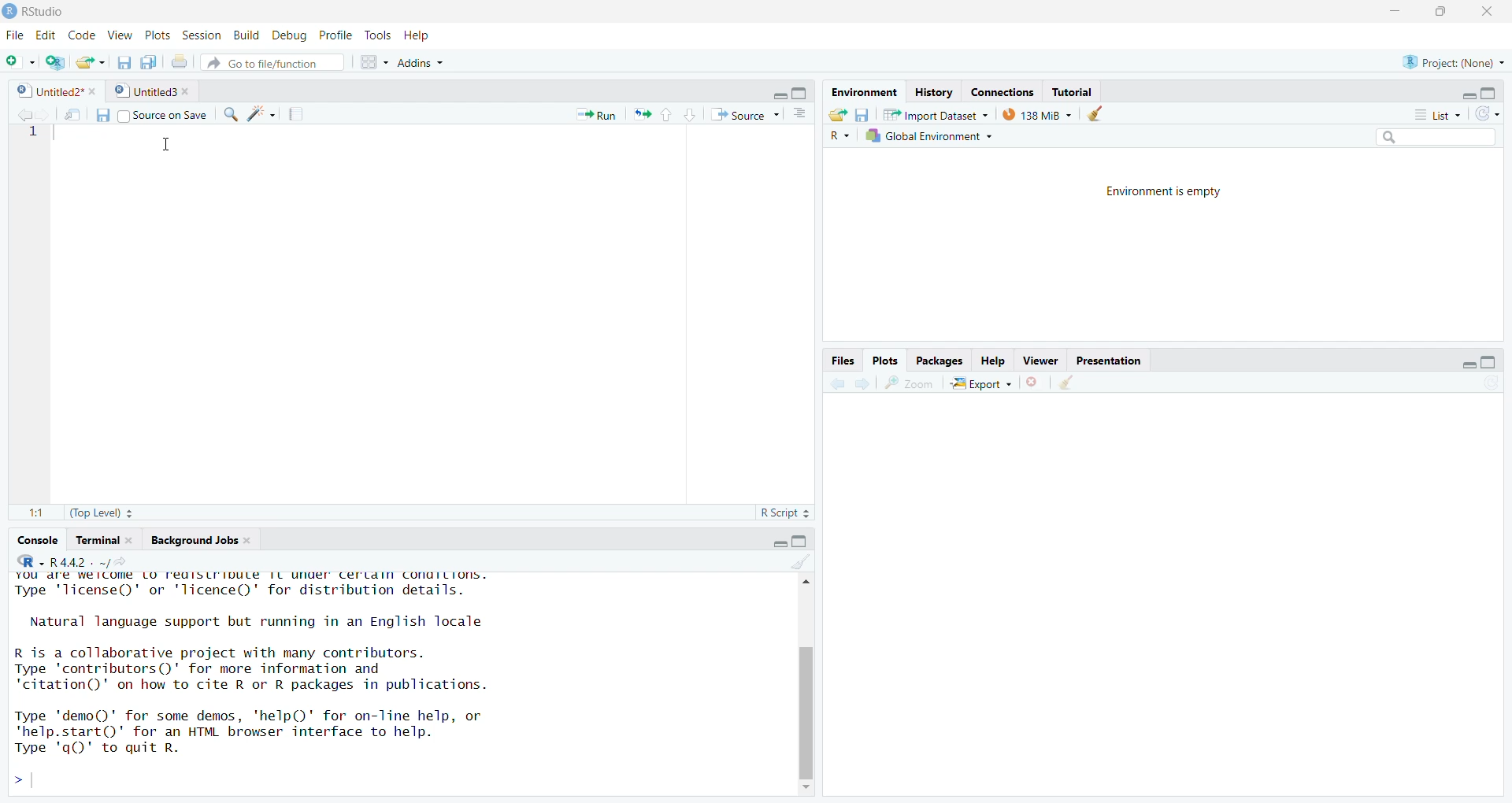 The width and height of the screenshot is (1512, 803). What do you see at coordinates (643, 114) in the screenshot?
I see `Rerun` at bounding box center [643, 114].